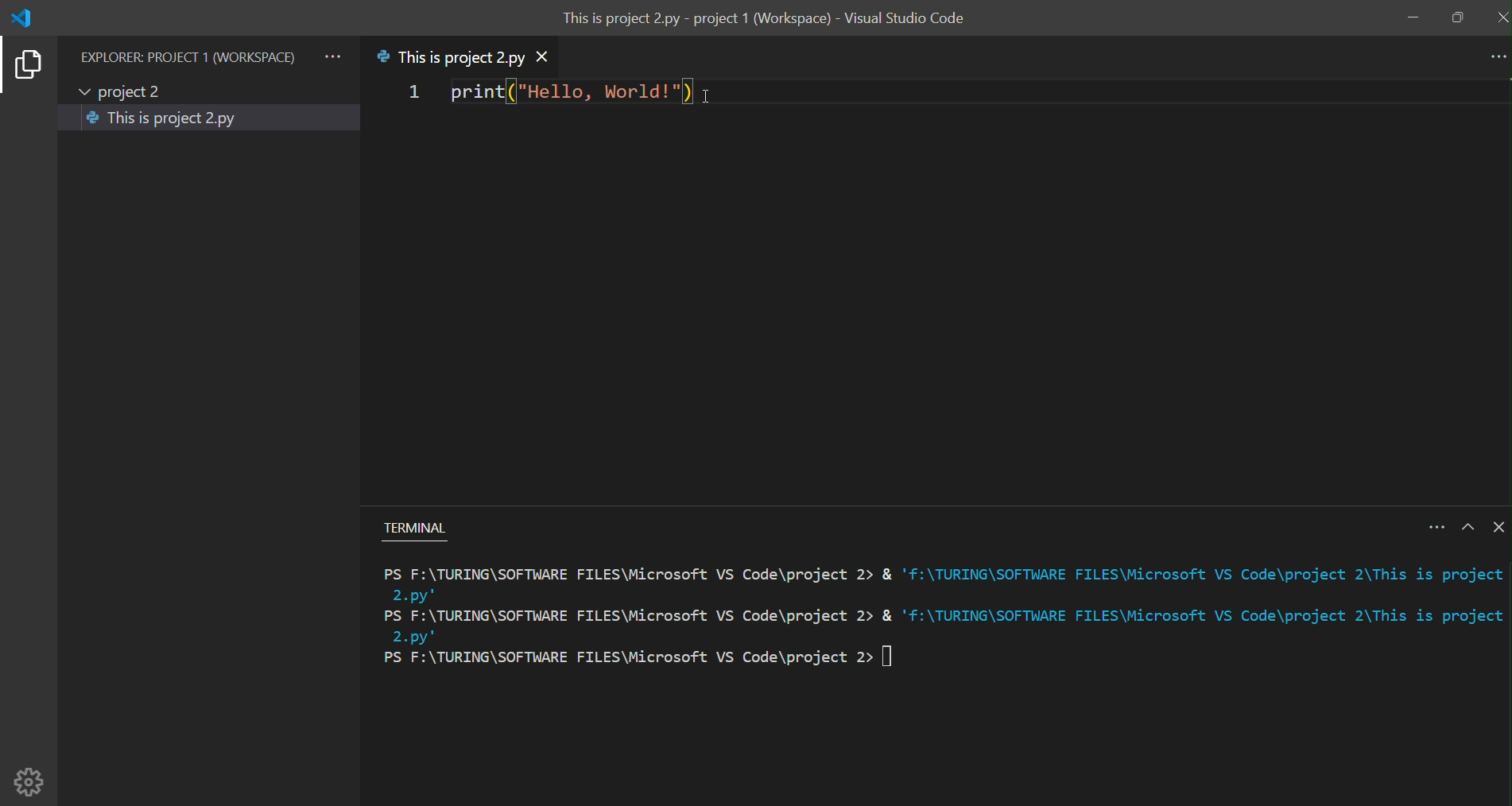 Image resolution: width=1512 pixels, height=806 pixels. What do you see at coordinates (211, 118) in the screenshot?
I see `current open file` at bounding box center [211, 118].